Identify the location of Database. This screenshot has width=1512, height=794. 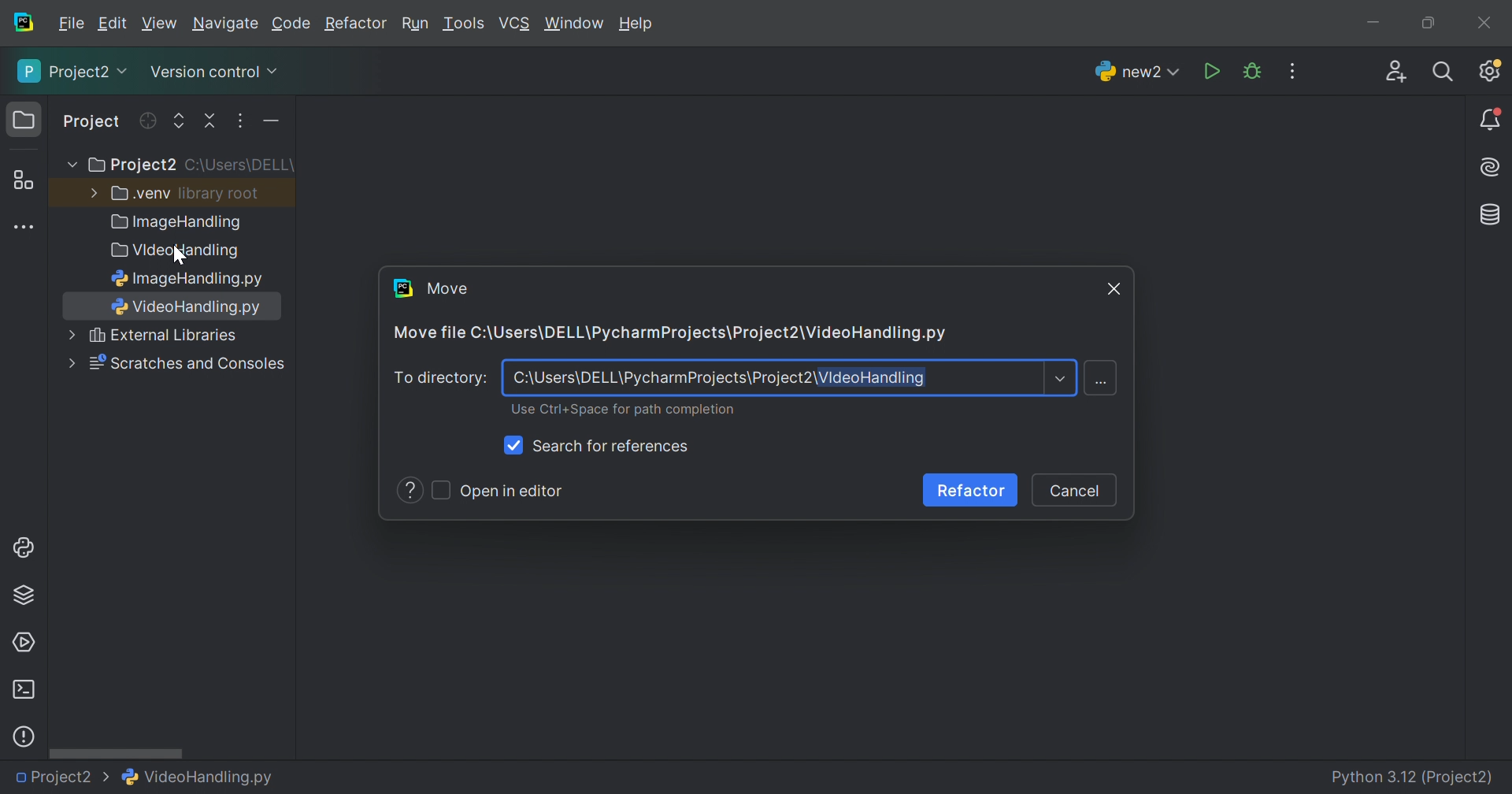
(1492, 216).